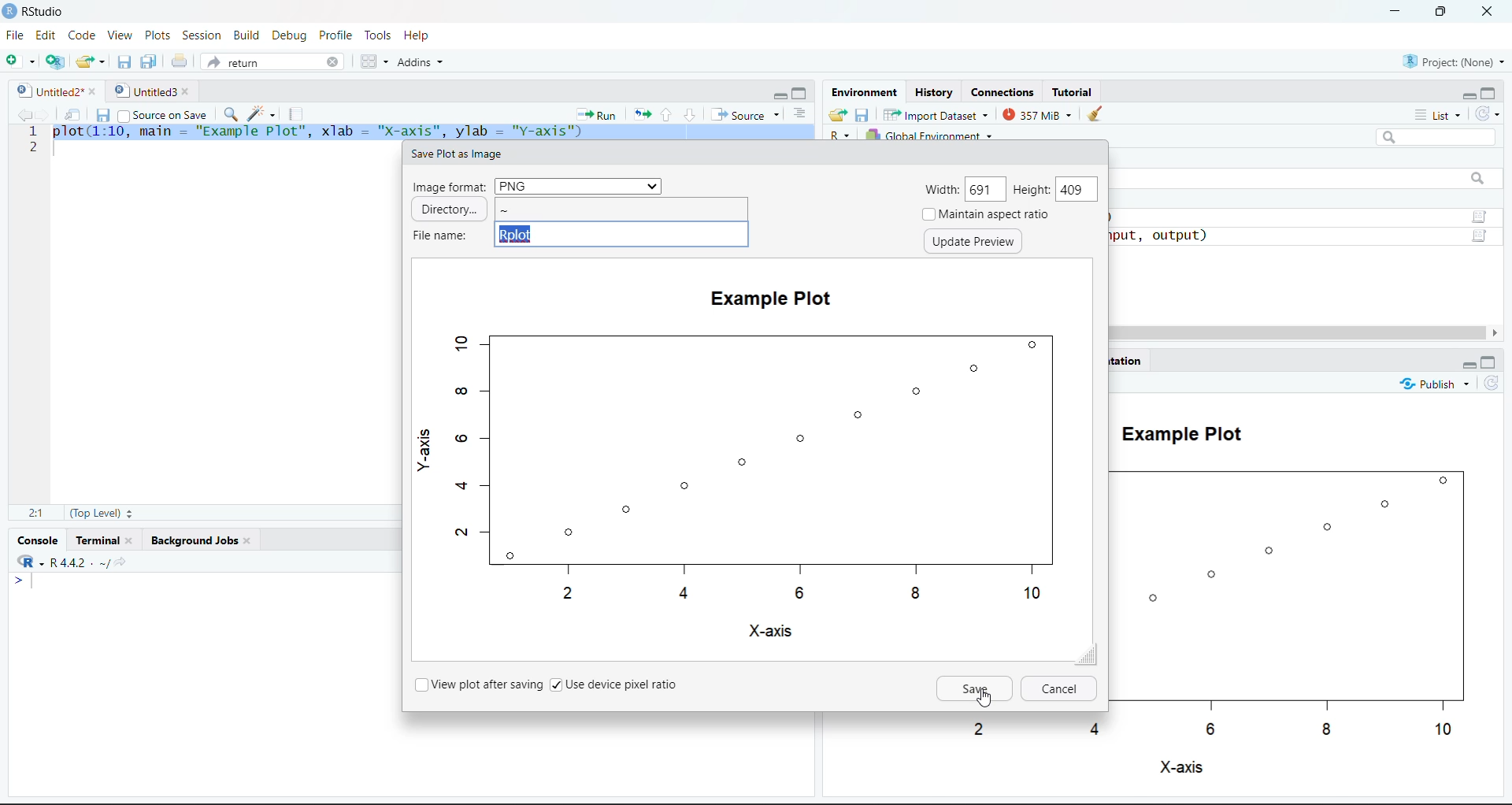  Describe the element at coordinates (151, 88) in the screenshot. I see `Untitled3*` at that location.